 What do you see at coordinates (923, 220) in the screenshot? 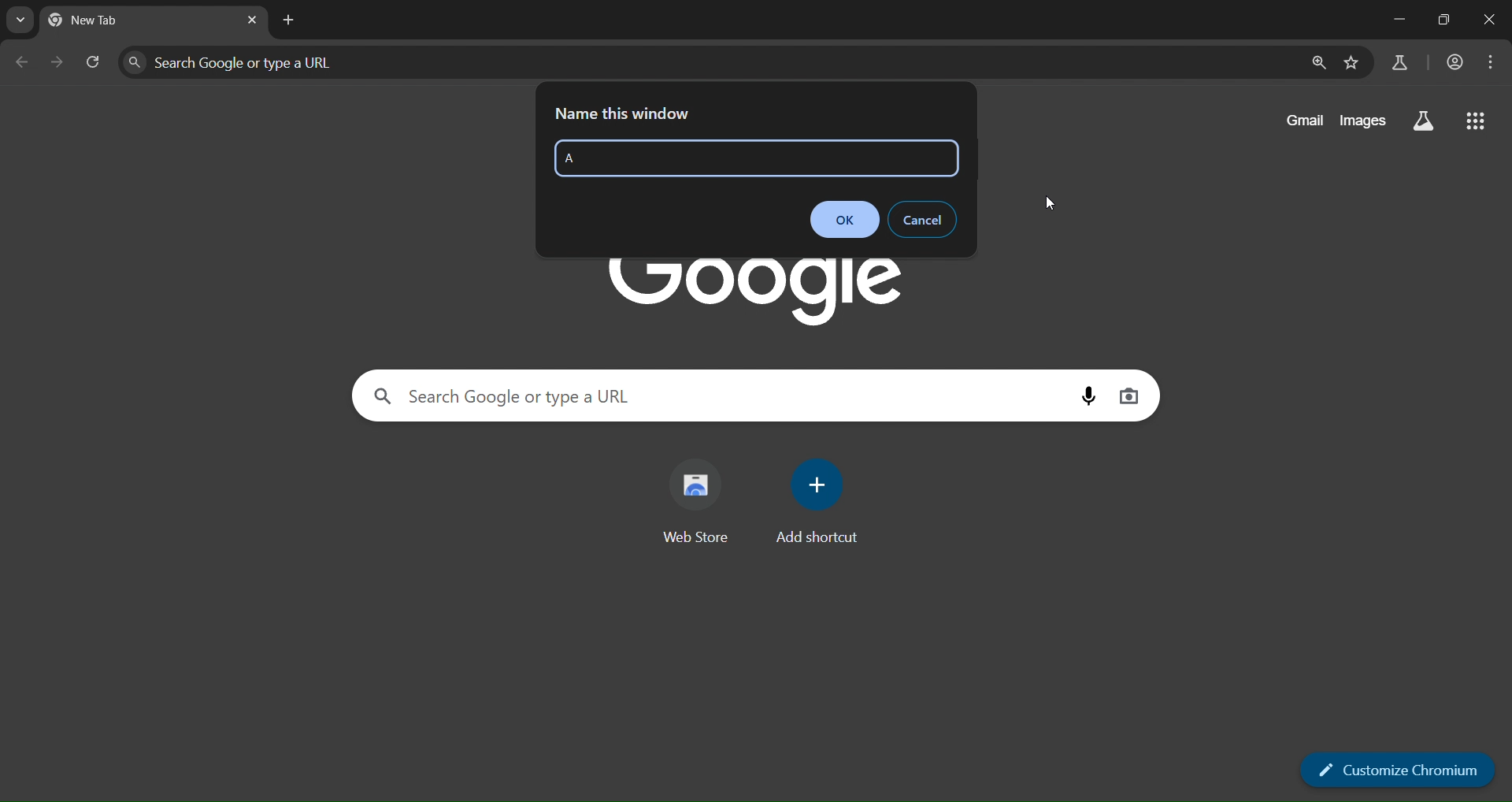
I see `cancel` at bounding box center [923, 220].